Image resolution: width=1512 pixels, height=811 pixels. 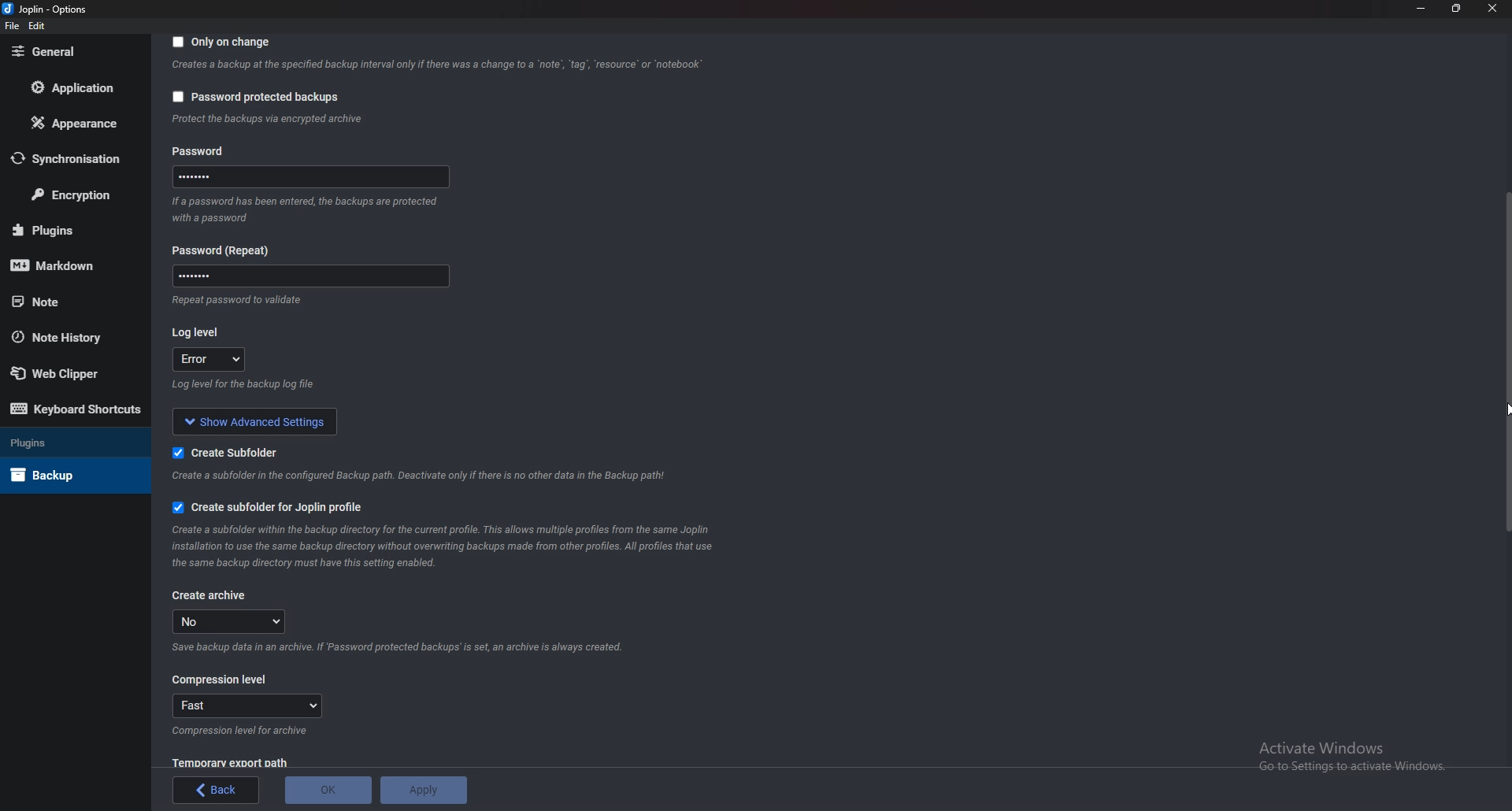 I want to click on Joplin, so click(x=43, y=9).